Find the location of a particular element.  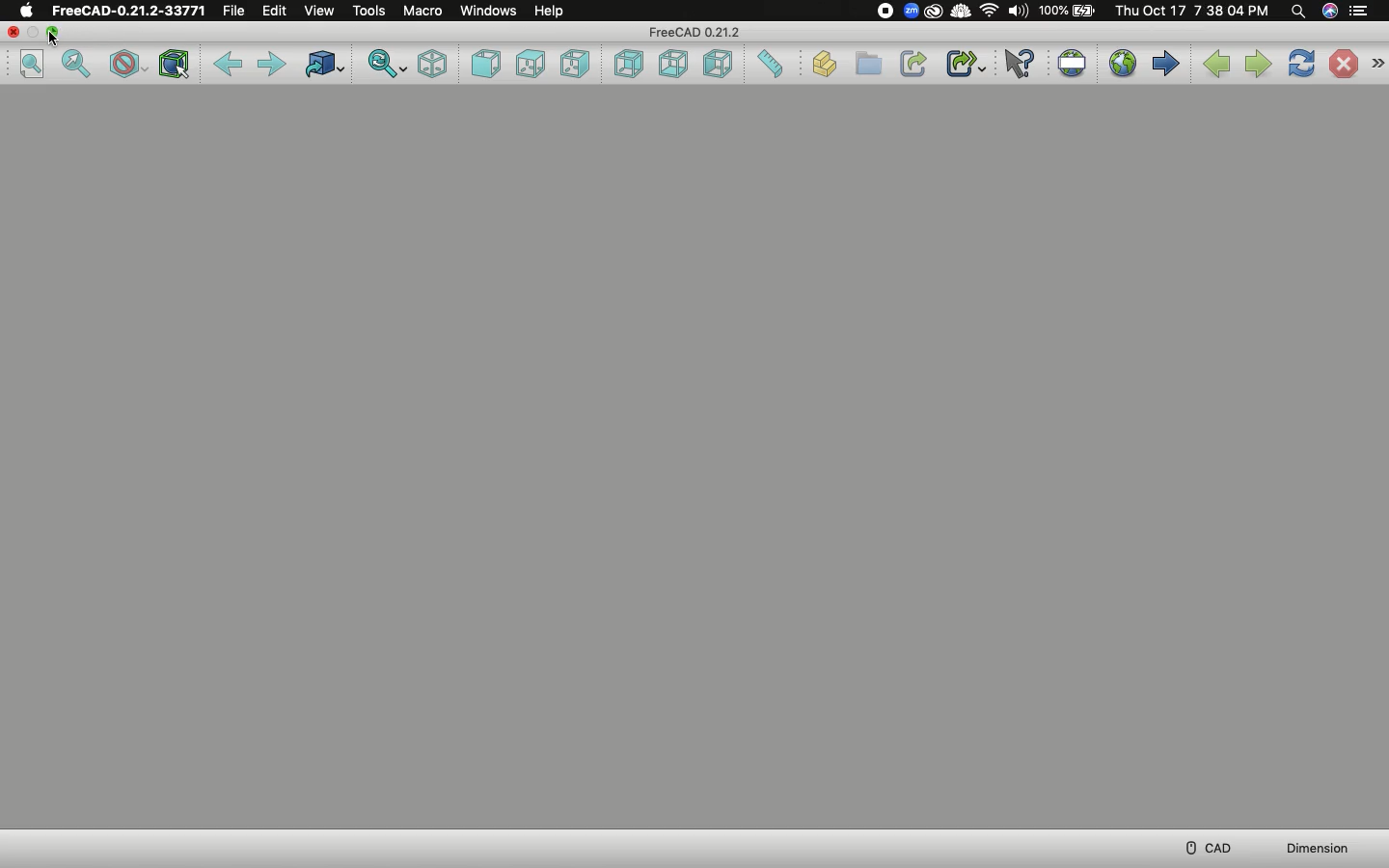

Search is located at coordinates (1297, 11).